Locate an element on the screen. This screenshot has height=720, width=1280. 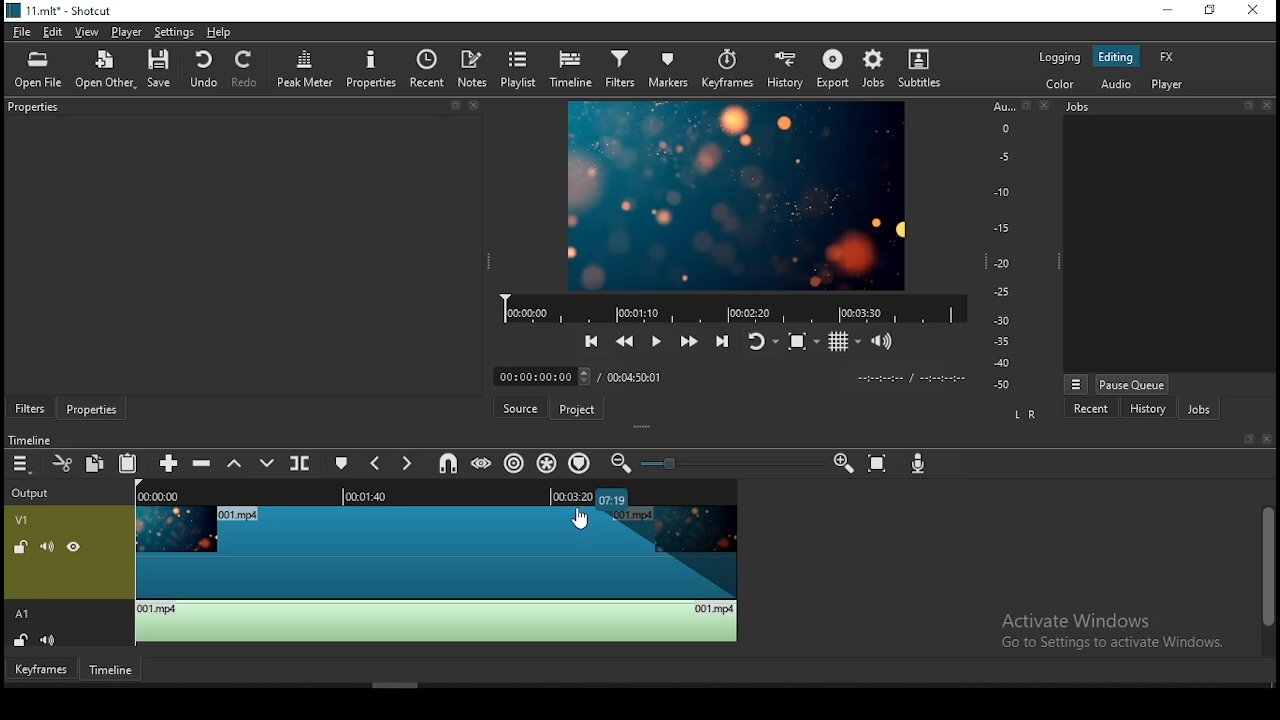
Activate Windows
Go to Settings to activate Windows. is located at coordinates (1112, 633).